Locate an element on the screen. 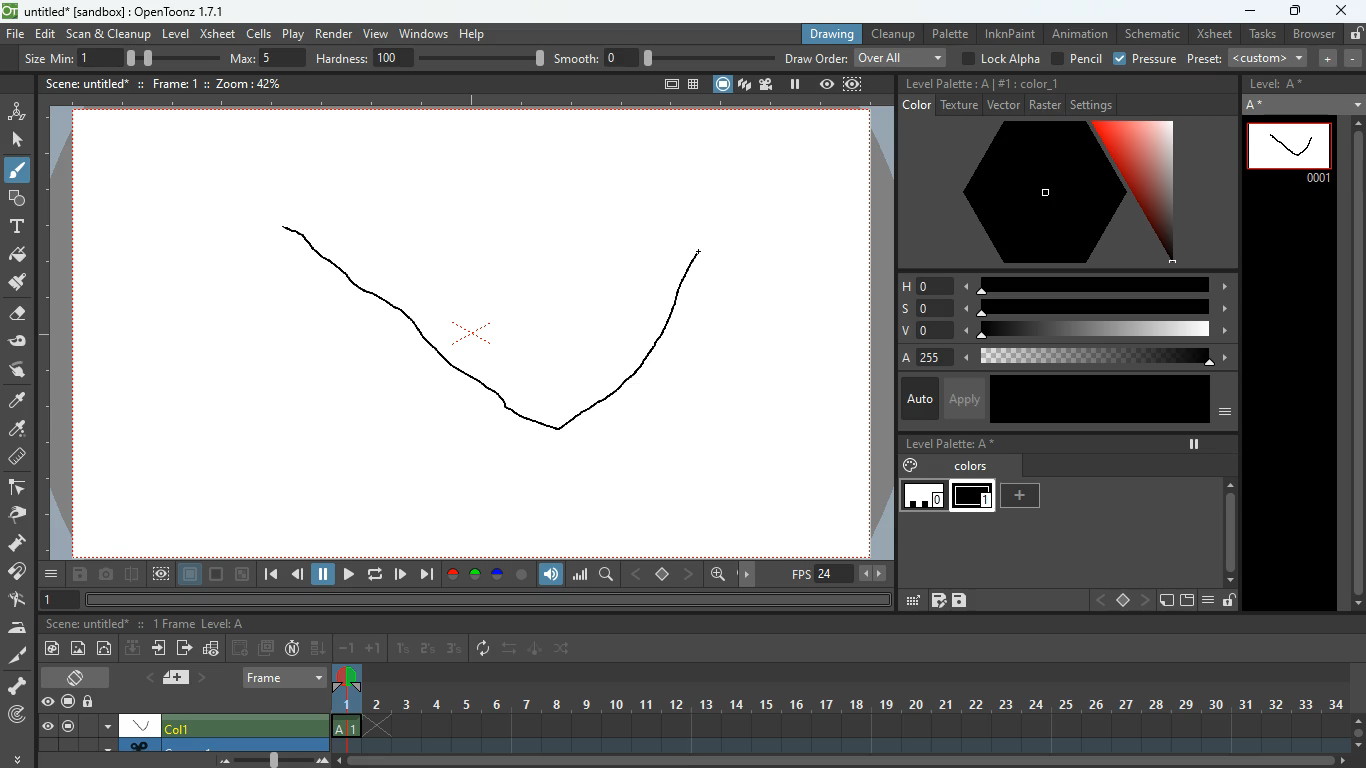 Image resolution: width=1366 pixels, height=768 pixels. selected frame is located at coordinates (347, 700).